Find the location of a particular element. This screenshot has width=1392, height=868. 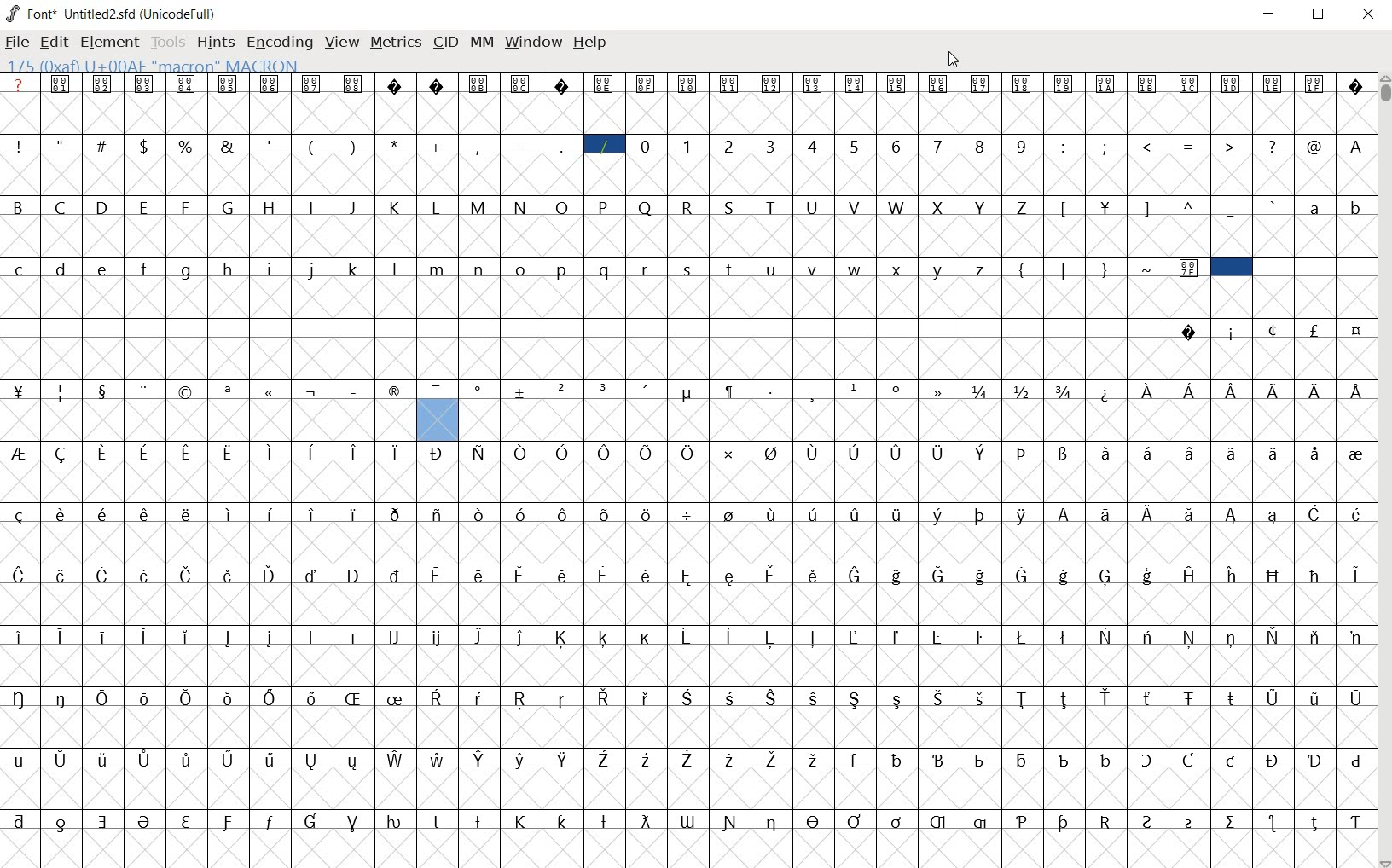

Symbol is located at coordinates (690, 391).